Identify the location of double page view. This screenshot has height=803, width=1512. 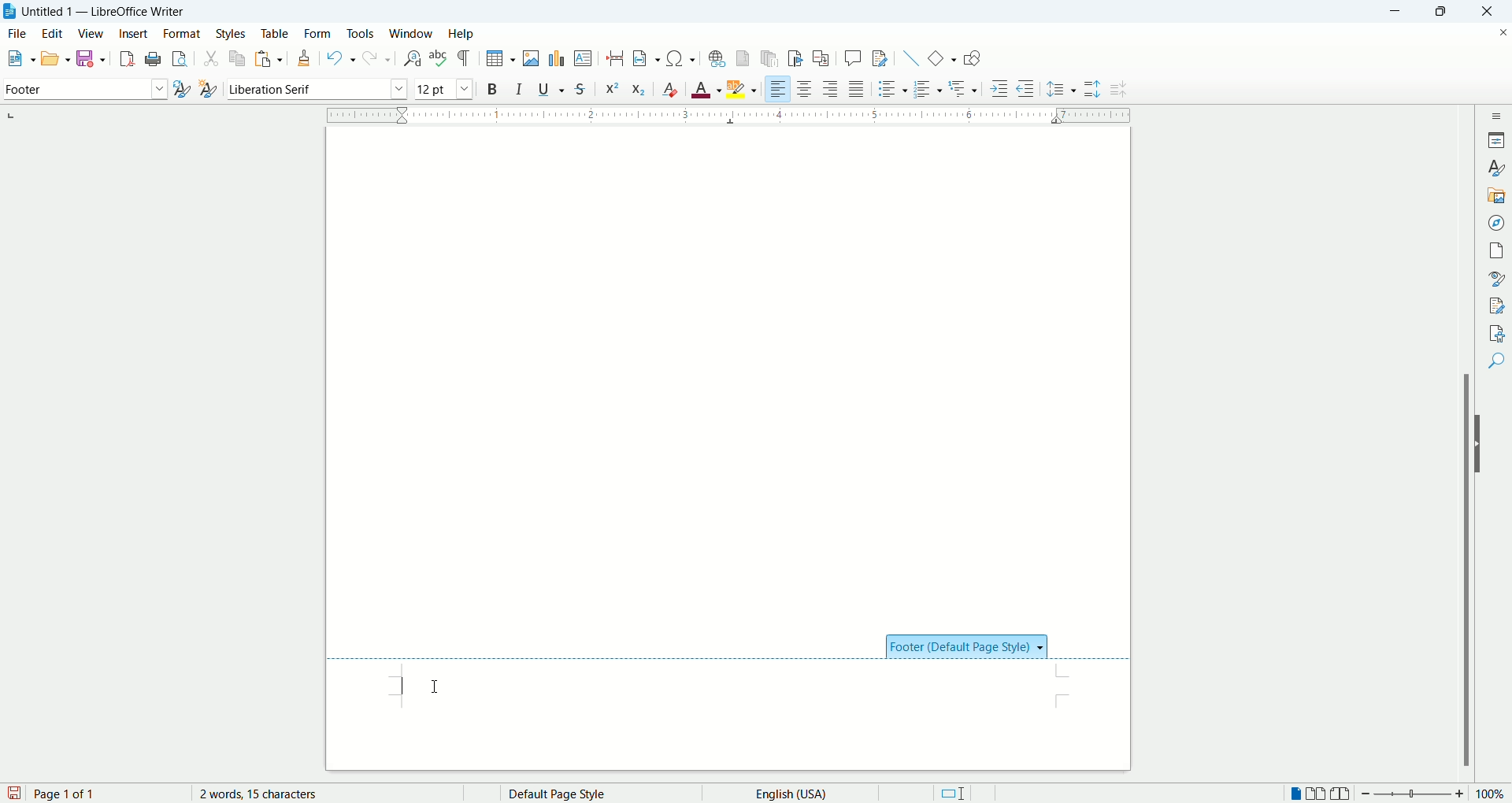
(1319, 794).